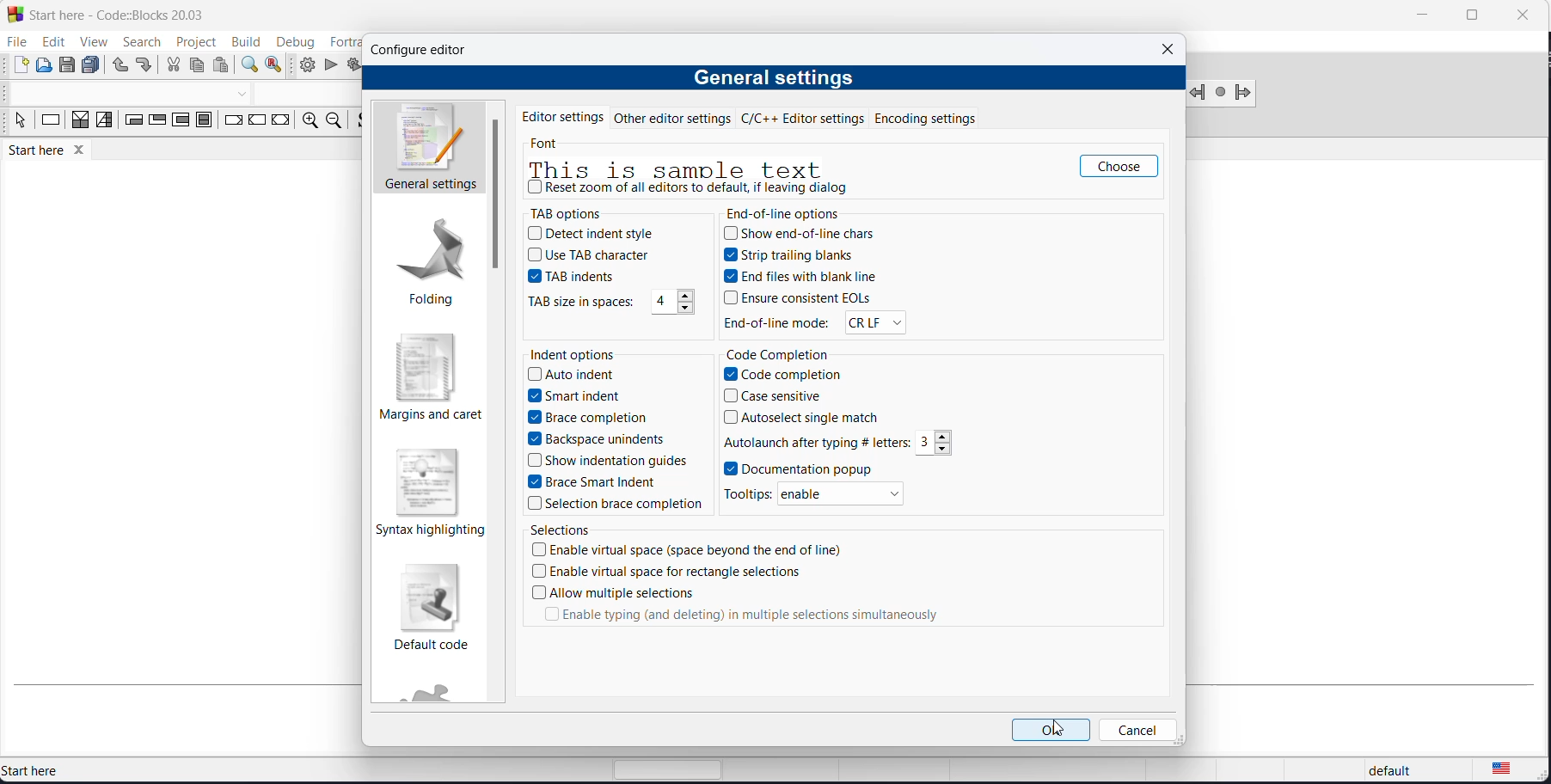 The width and height of the screenshot is (1551, 784). I want to click on show indentation guides, so click(609, 462).